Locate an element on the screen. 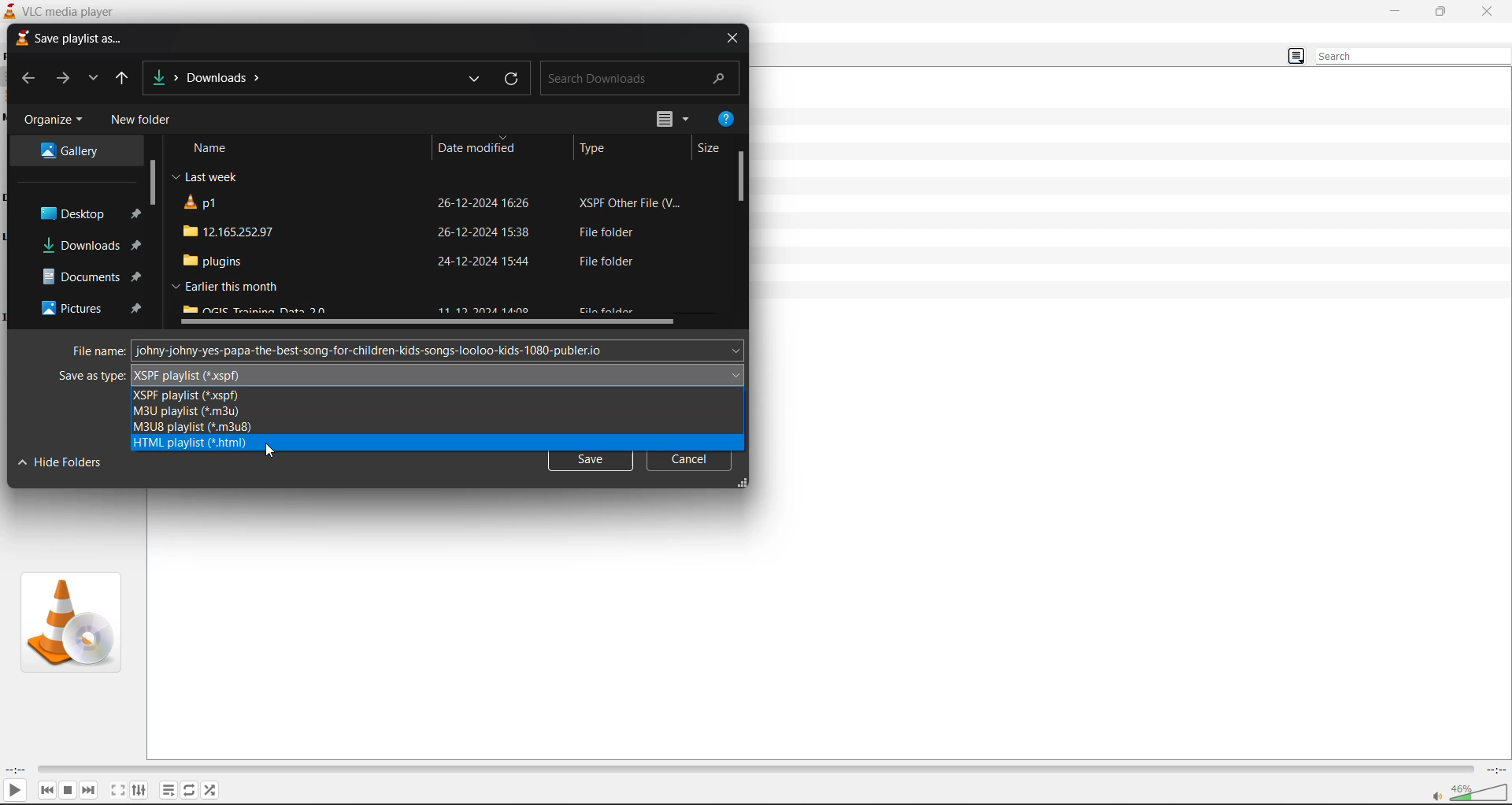  thumbnail is located at coordinates (69, 621).